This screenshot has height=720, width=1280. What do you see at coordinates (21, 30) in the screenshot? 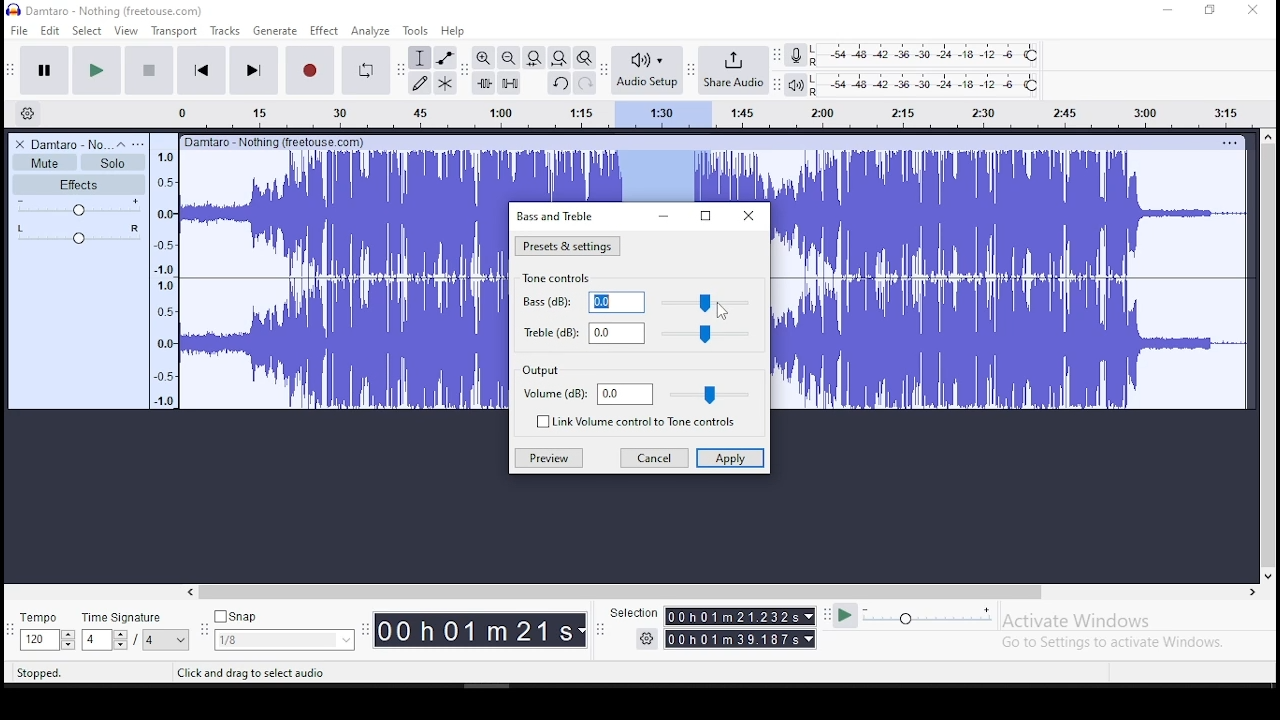
I see `file` at bounding box center [21, 30].